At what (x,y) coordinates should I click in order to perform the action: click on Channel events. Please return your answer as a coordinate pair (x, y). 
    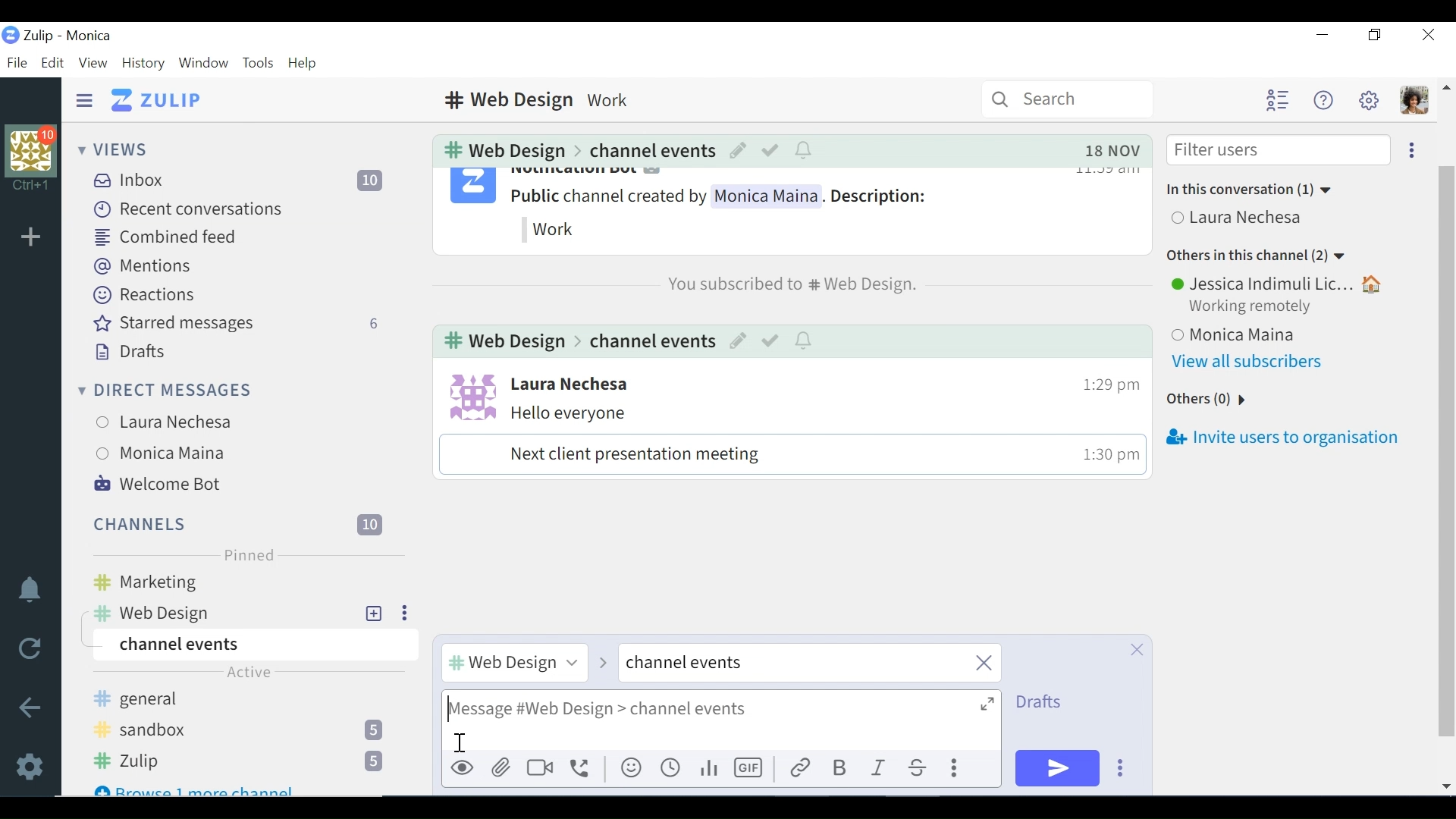
    Looking at the image, I should click on (252, 645).